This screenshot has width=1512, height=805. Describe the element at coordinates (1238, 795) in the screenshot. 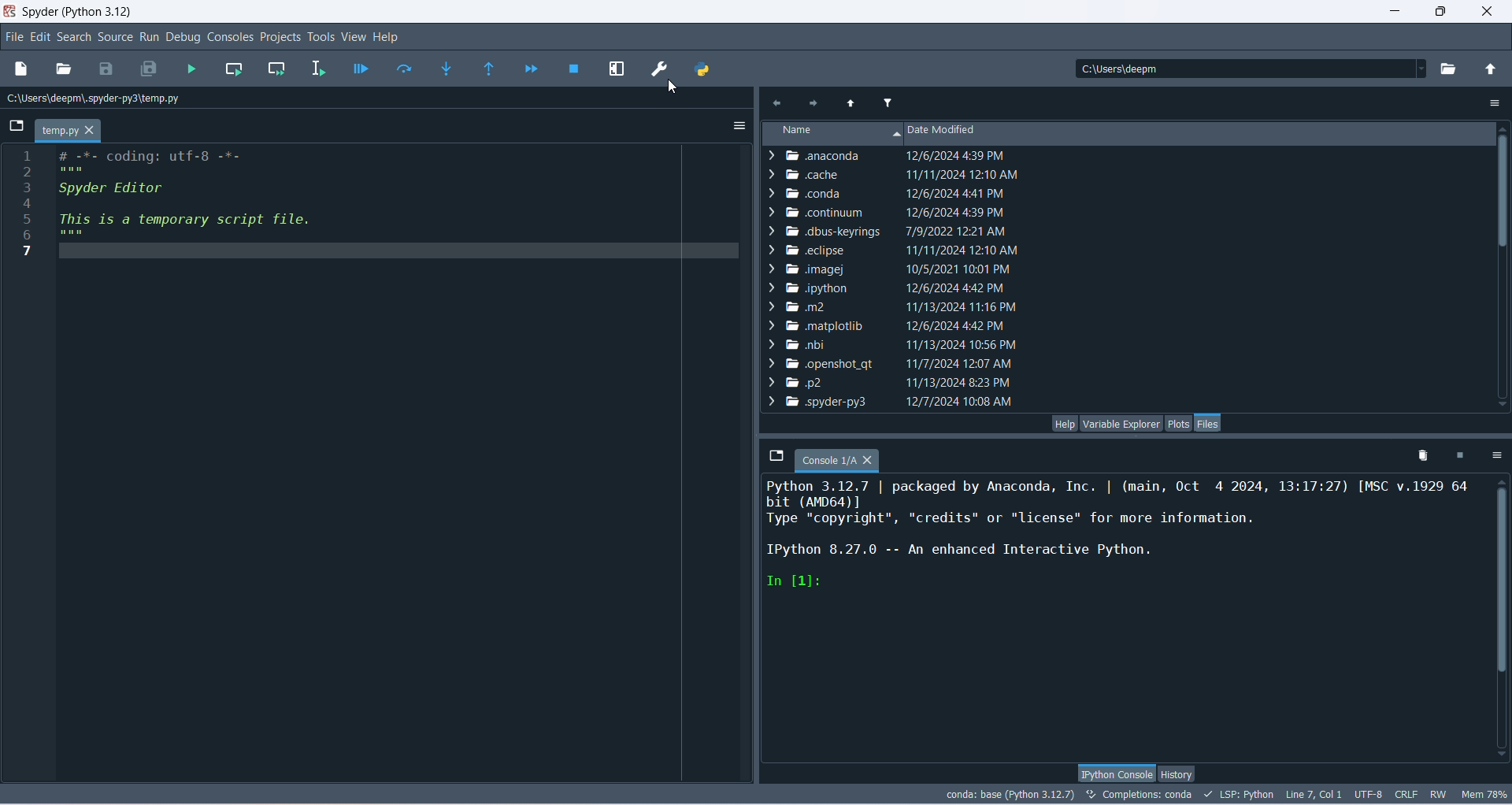

I see `LSP:Python` at that location.